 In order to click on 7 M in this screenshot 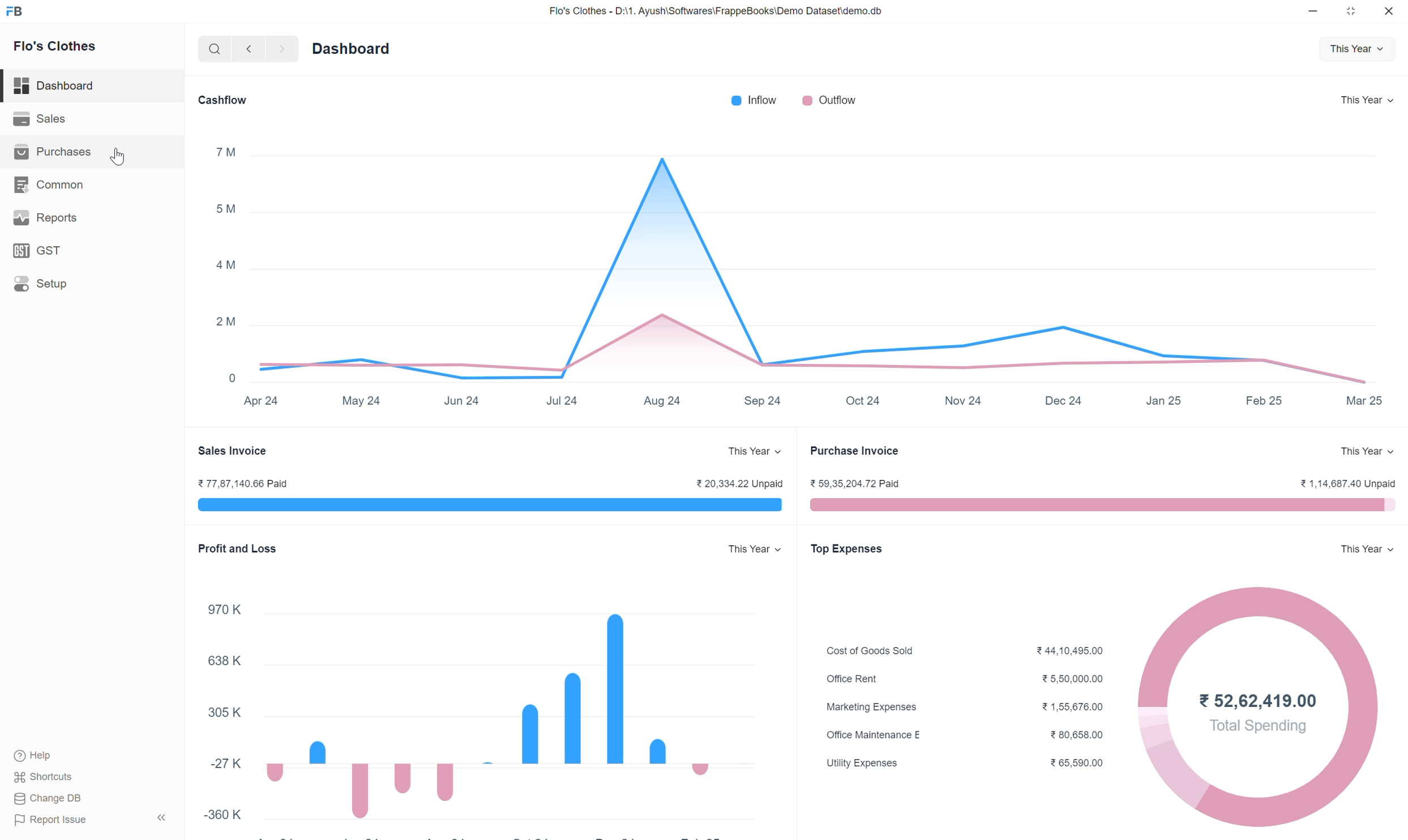, I will do `click(226, 152)`.